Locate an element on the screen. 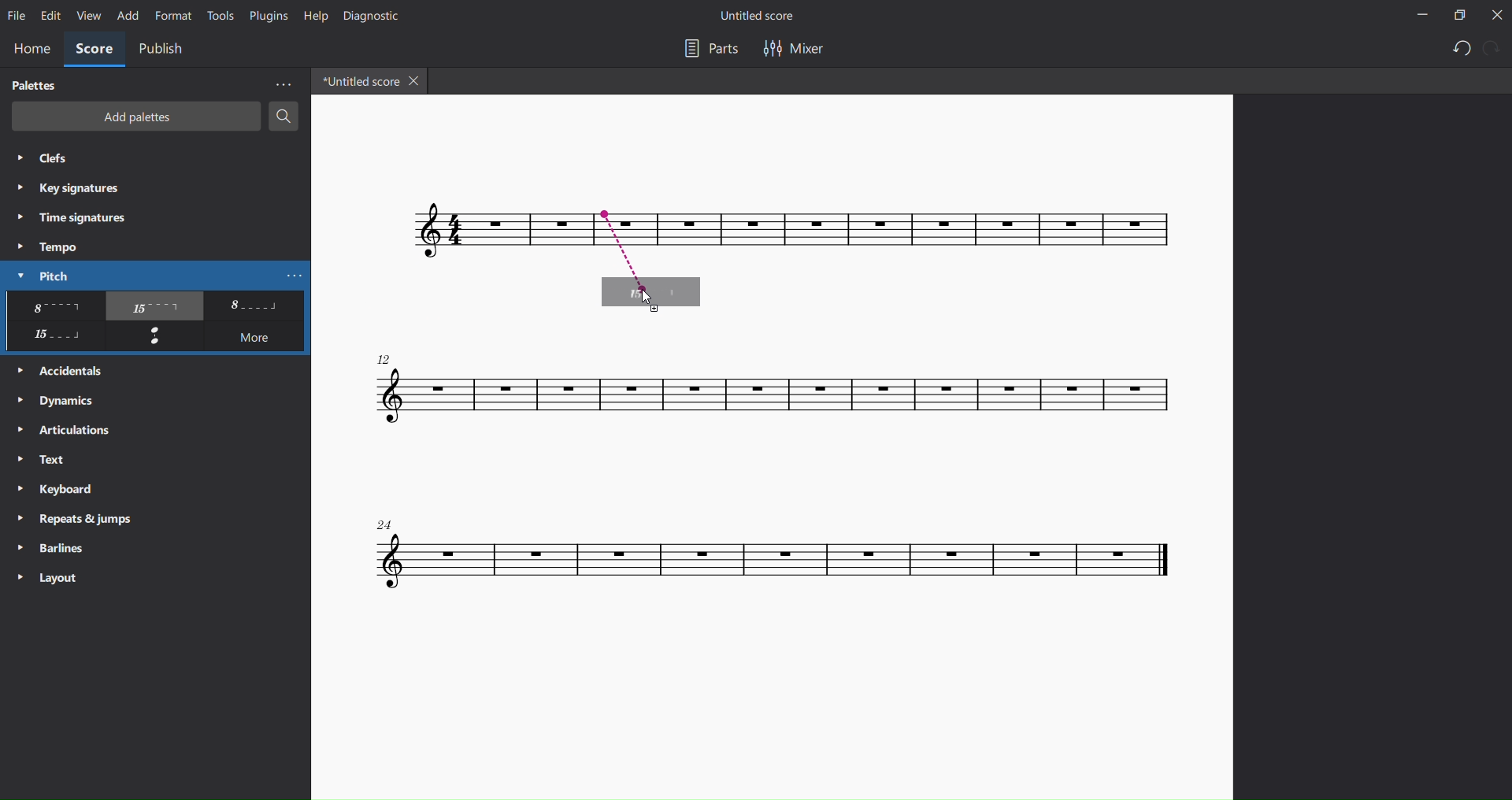 The width and height of the screenshot is (1512, 800). other pitch is located at coordinates (53, 337).